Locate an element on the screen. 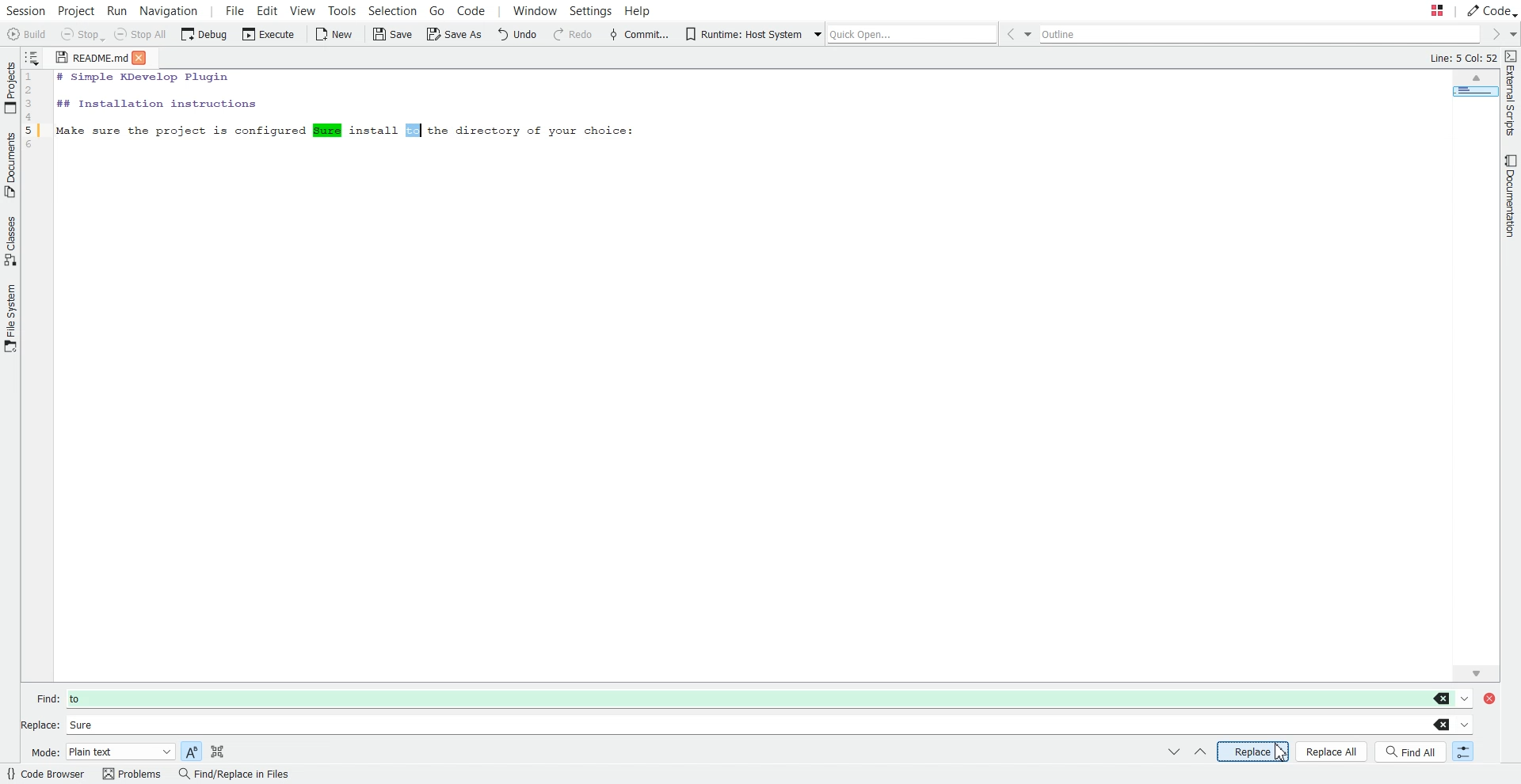 The image size is (1521, 784). Runtime: Host System is located at coordinates (742, 34).